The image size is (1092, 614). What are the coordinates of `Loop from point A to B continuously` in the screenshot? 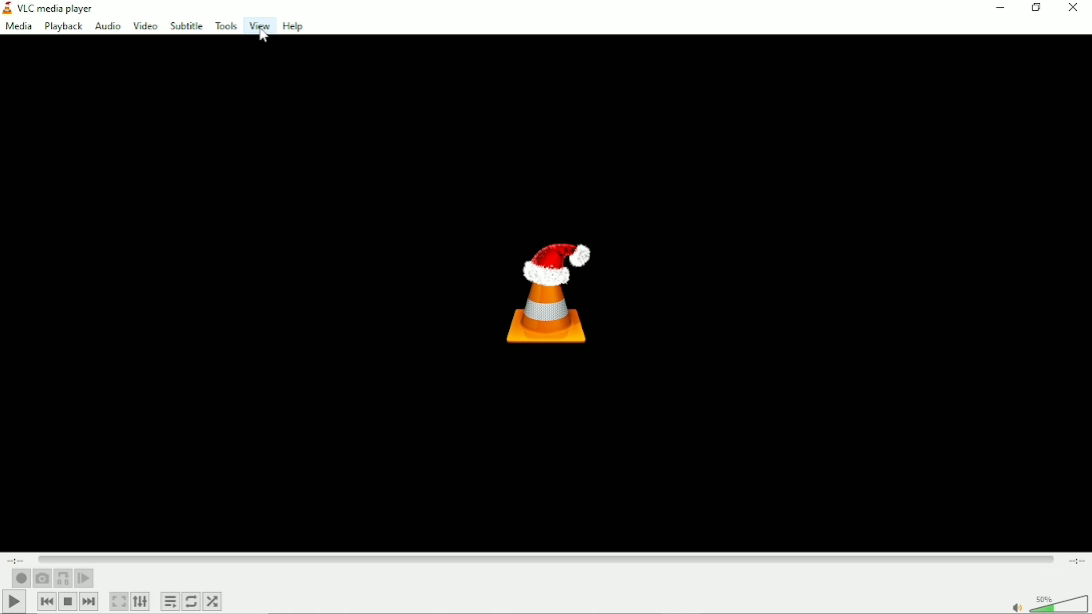 It's located at (62, 579).